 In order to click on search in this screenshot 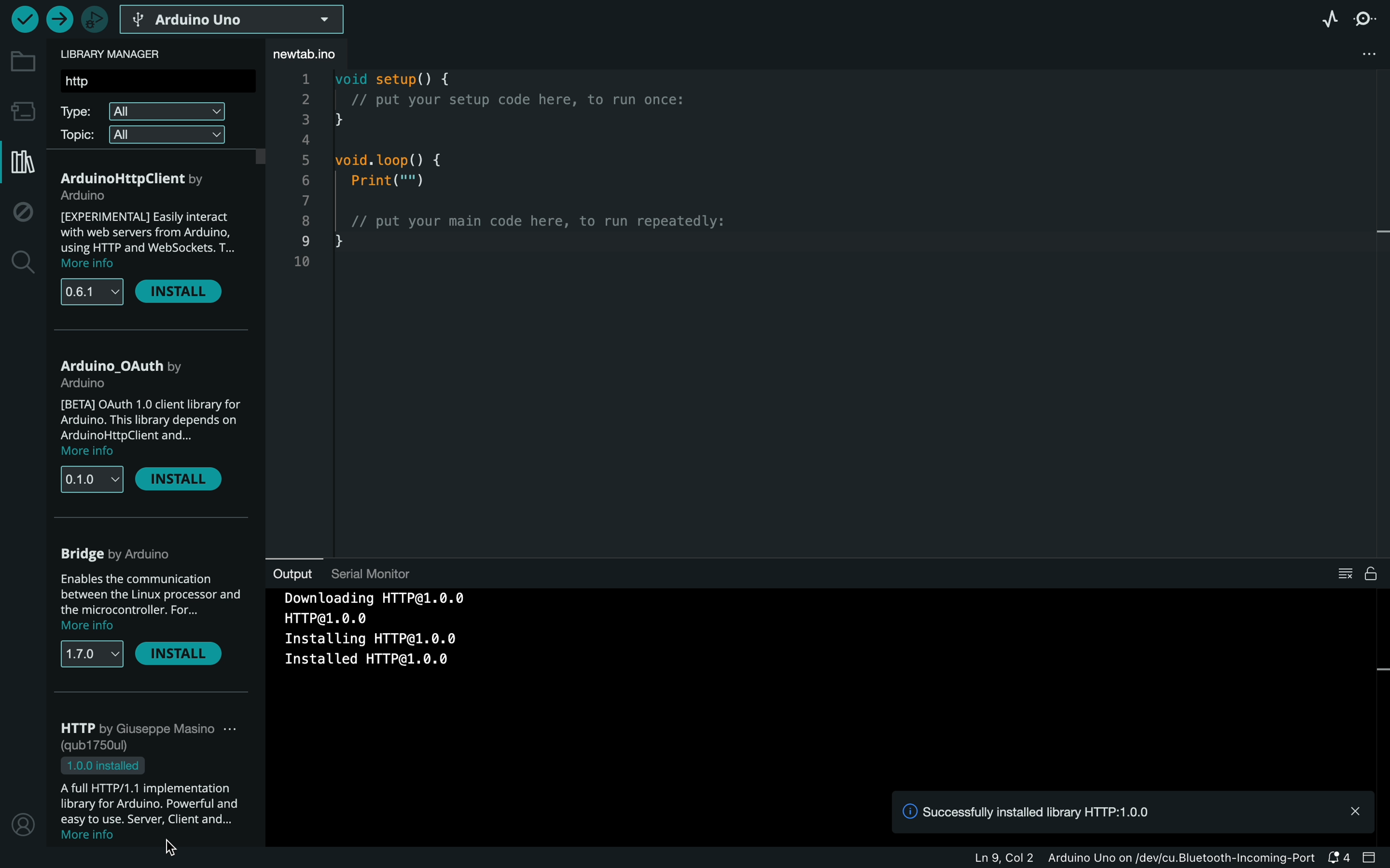, I will do `click(21, 263)`.